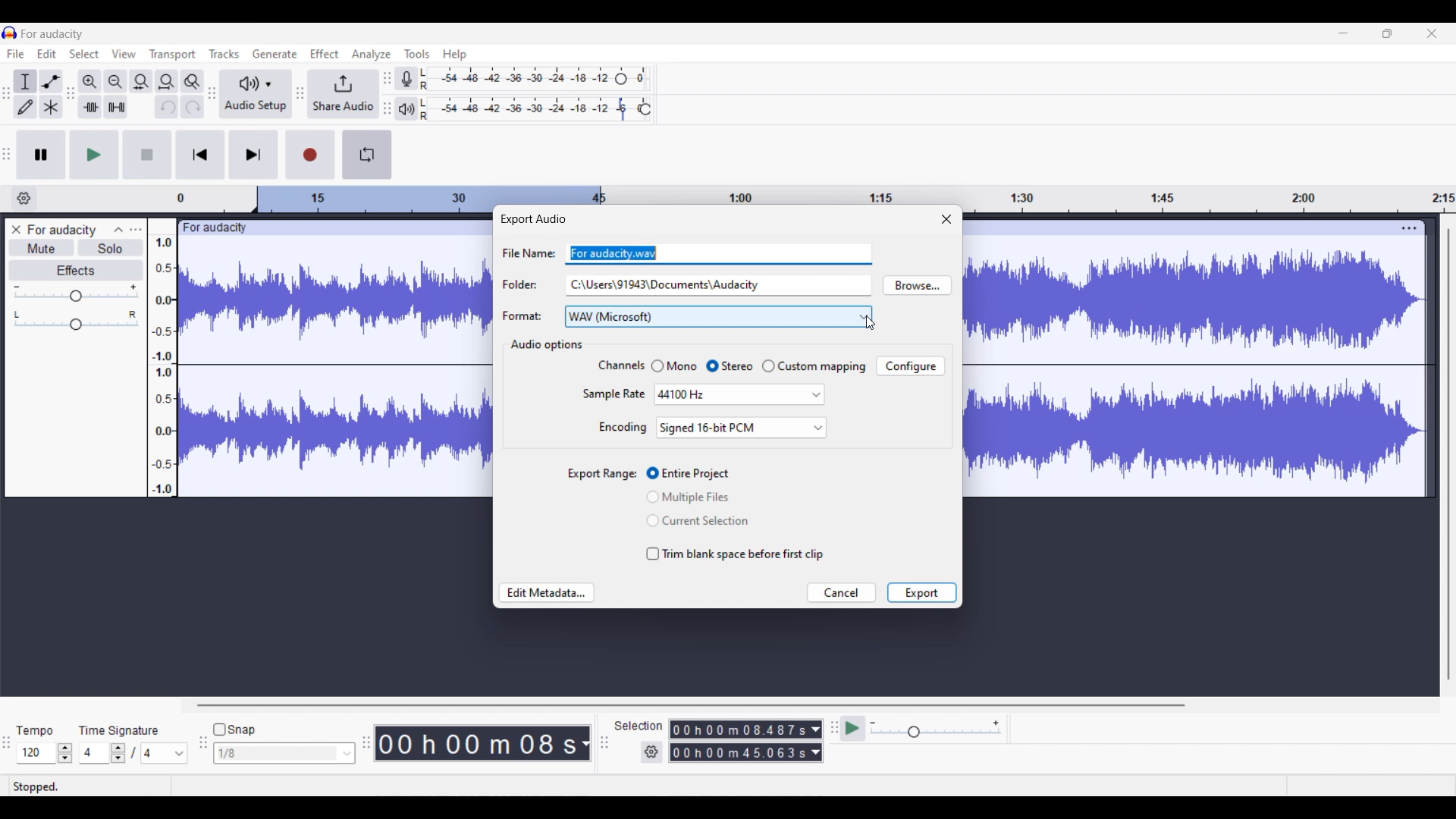  What do you see at coordinates (621, 79) in the screenshot?
I see `Header to change recording level` at bounding box center [621, 79].